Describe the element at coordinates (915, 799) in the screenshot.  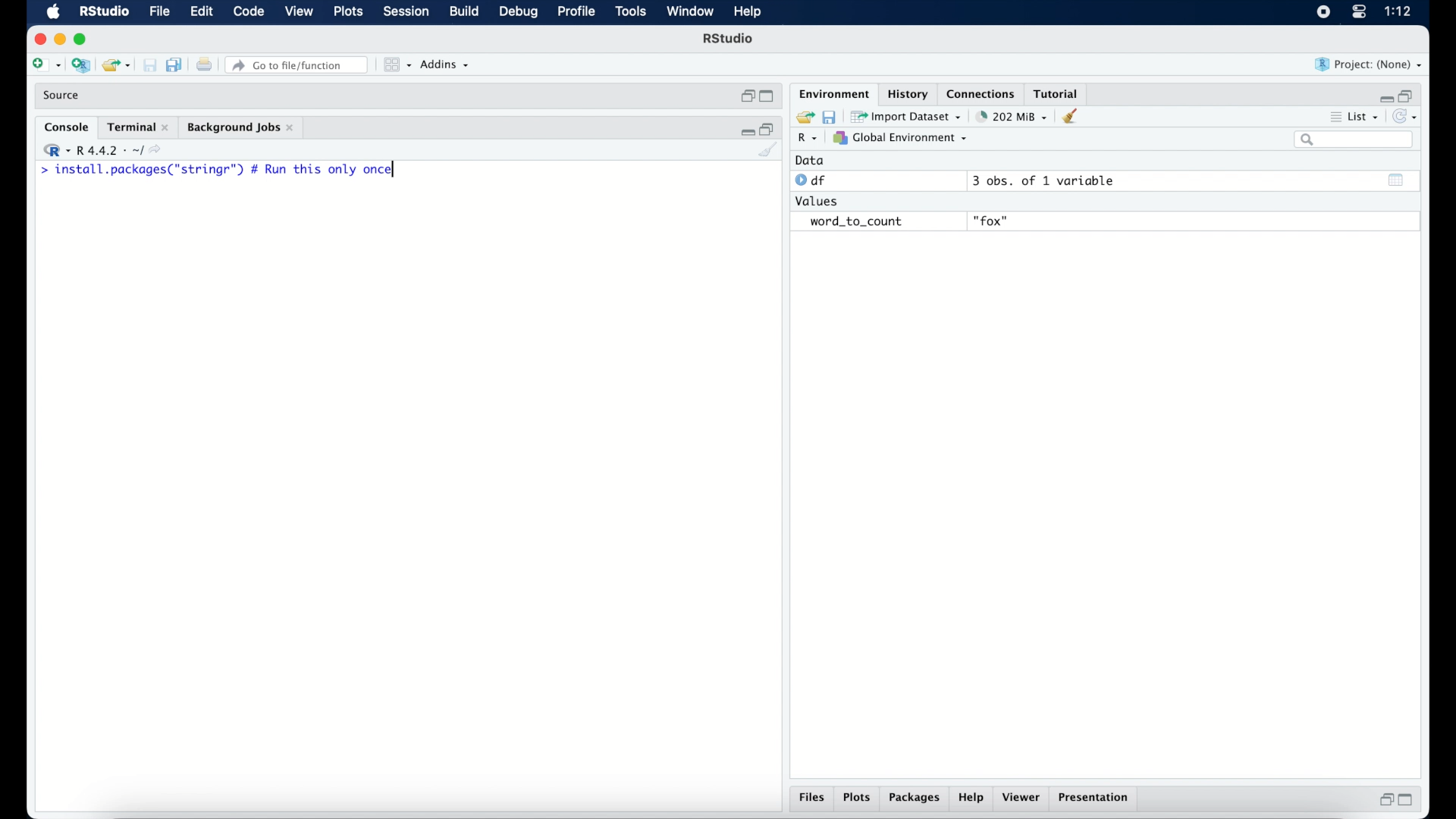
I see `packages` at that location.